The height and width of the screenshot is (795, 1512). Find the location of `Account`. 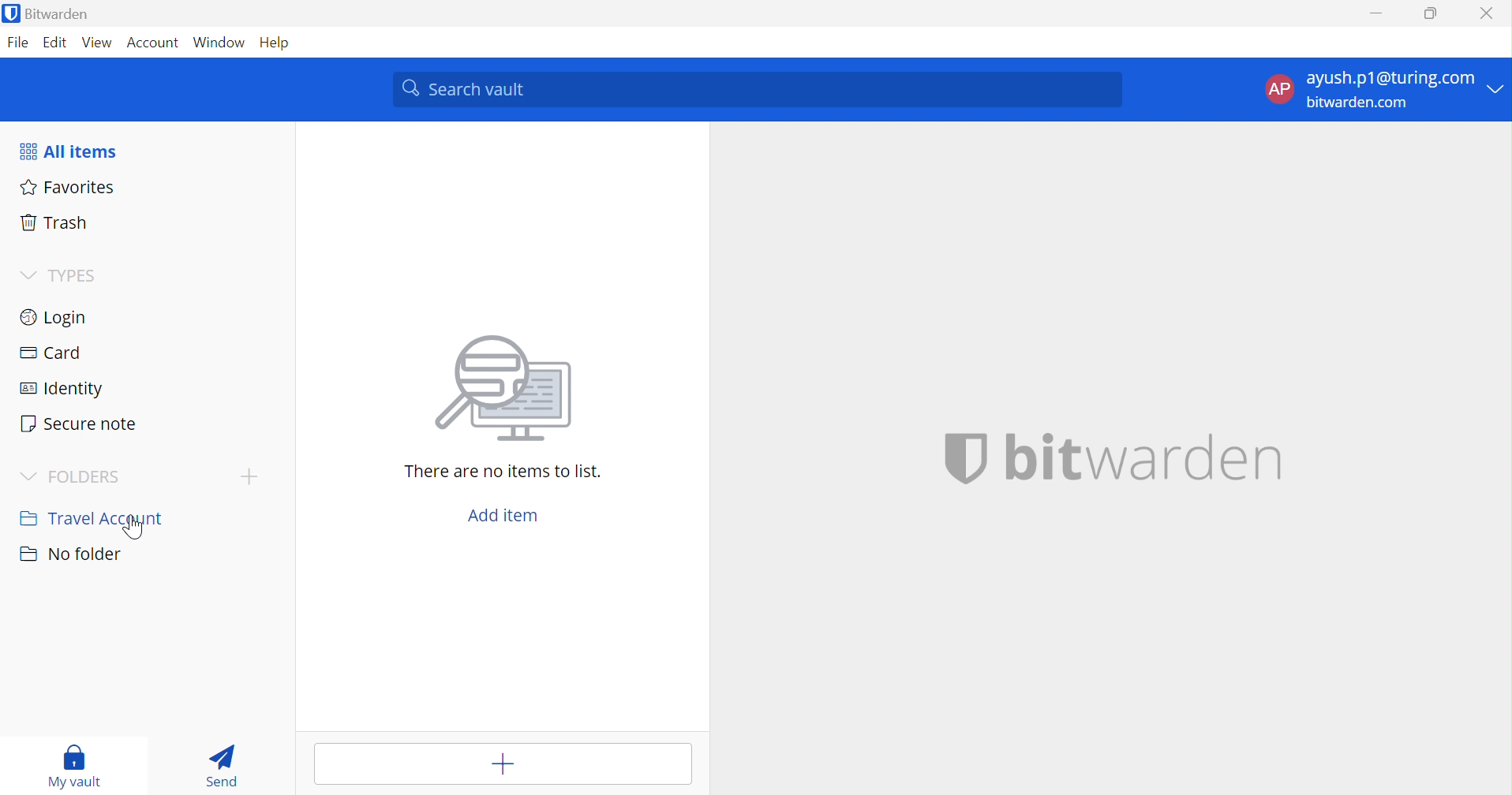

Account is located at coordinates (154, 42).